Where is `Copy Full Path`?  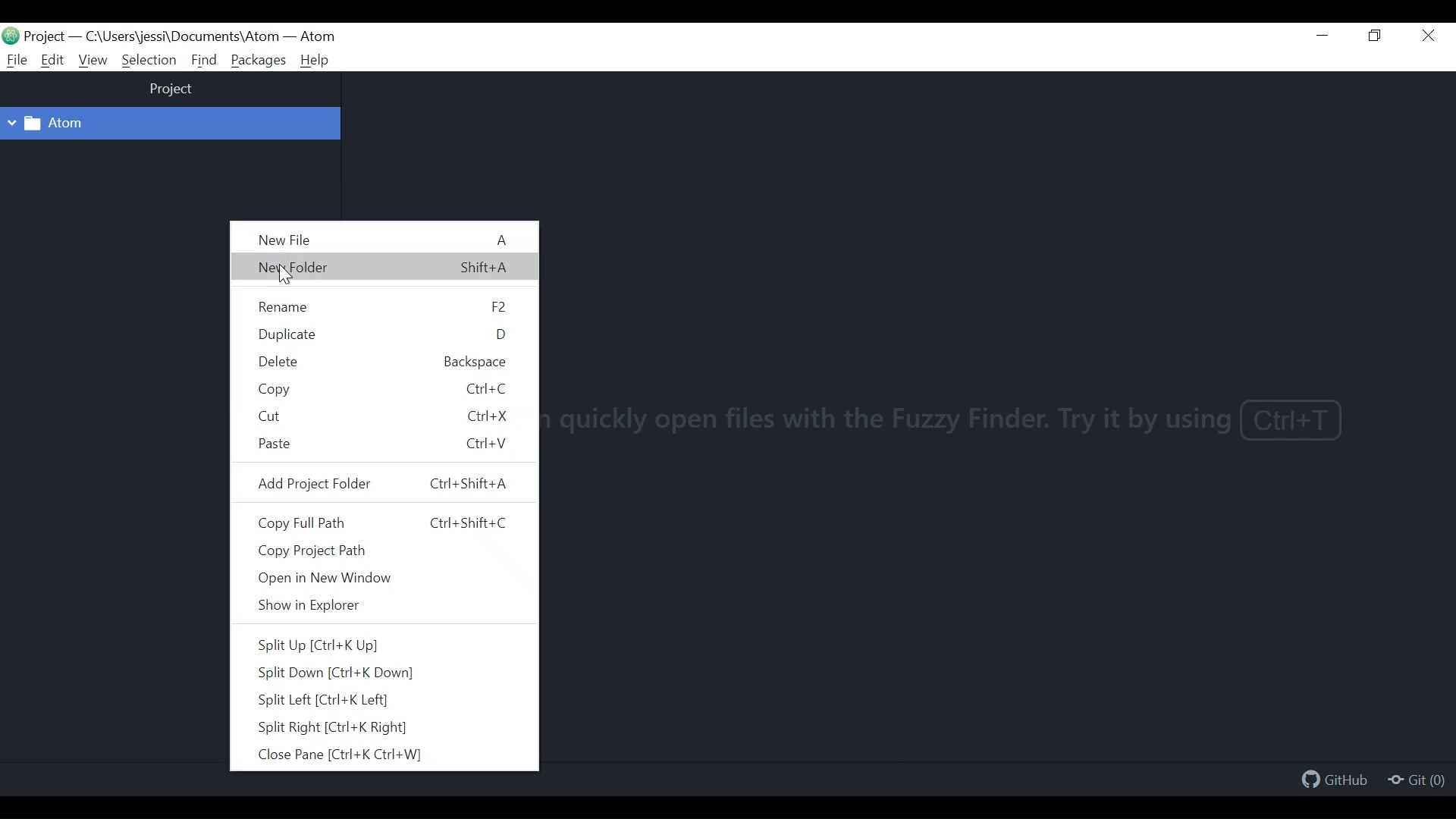 Copy Full Path is located at coordinates (301, 522).